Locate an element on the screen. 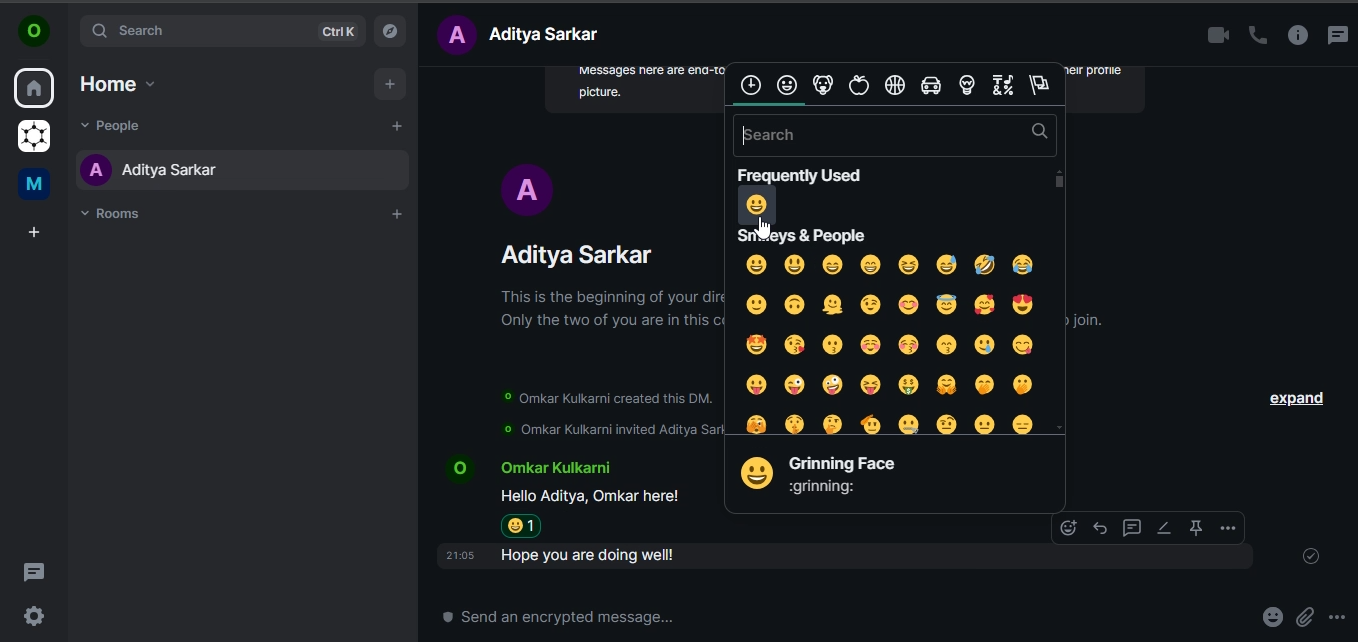 The width and height of the screenshot is (1358, 642). search bar is located at coordinates (895, 135).